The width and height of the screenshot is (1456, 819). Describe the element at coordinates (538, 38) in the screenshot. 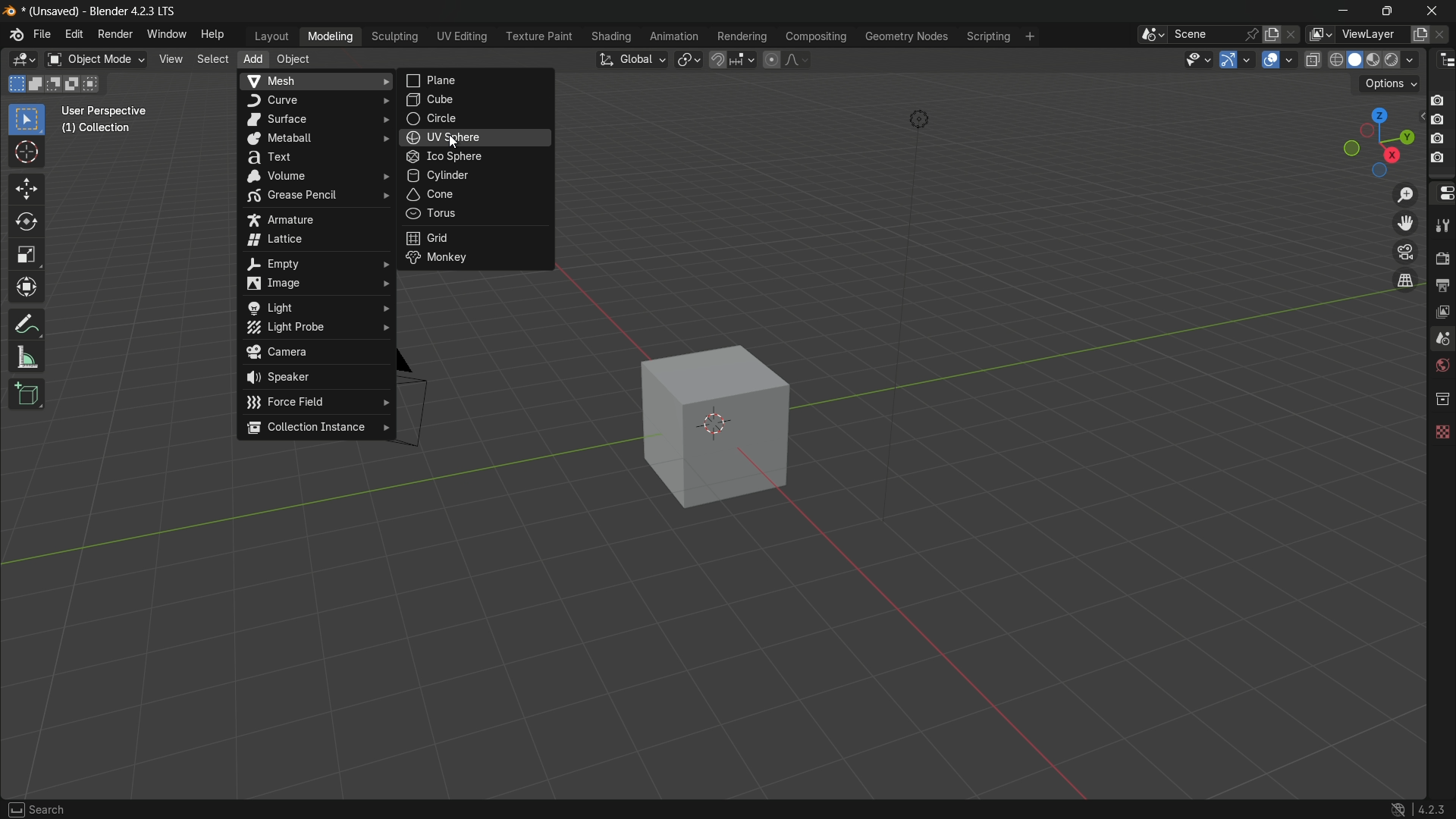

I see `texture paint menu` at that location.